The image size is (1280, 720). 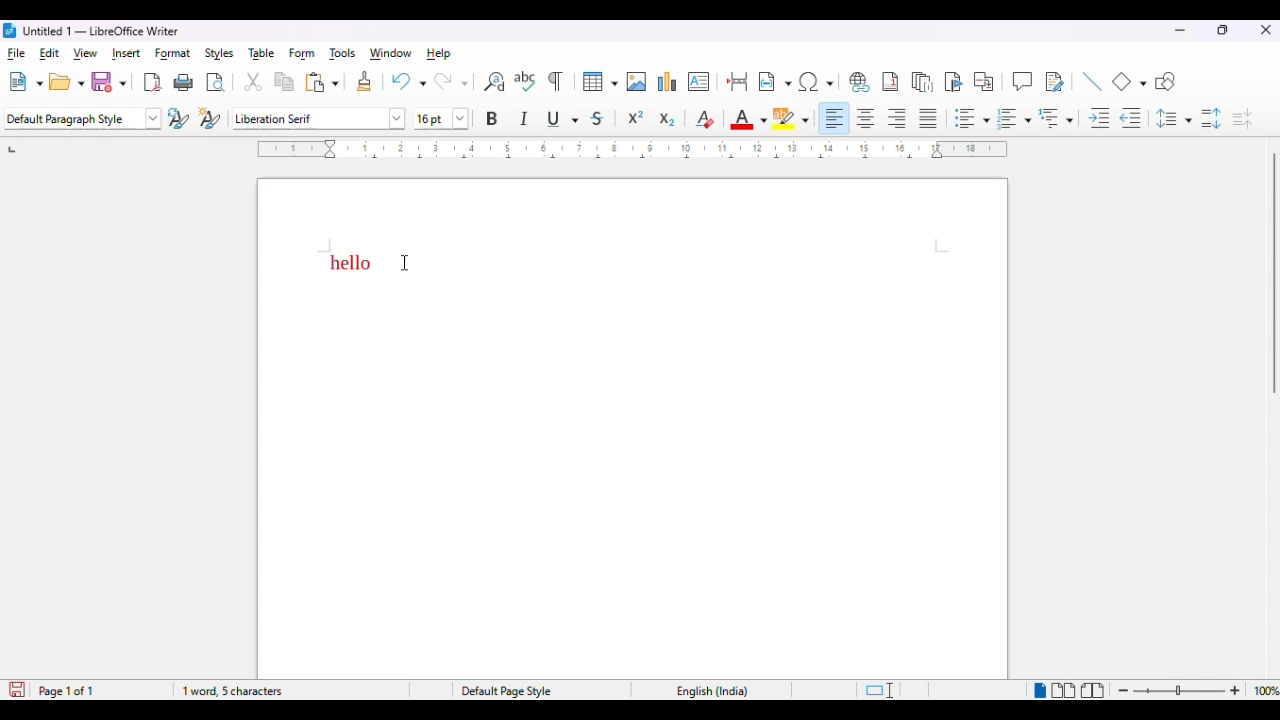 What do you see at coordinates (1064, 690) in the screenshot?
I see `multi-page view` at bounding box center [1064, 690].